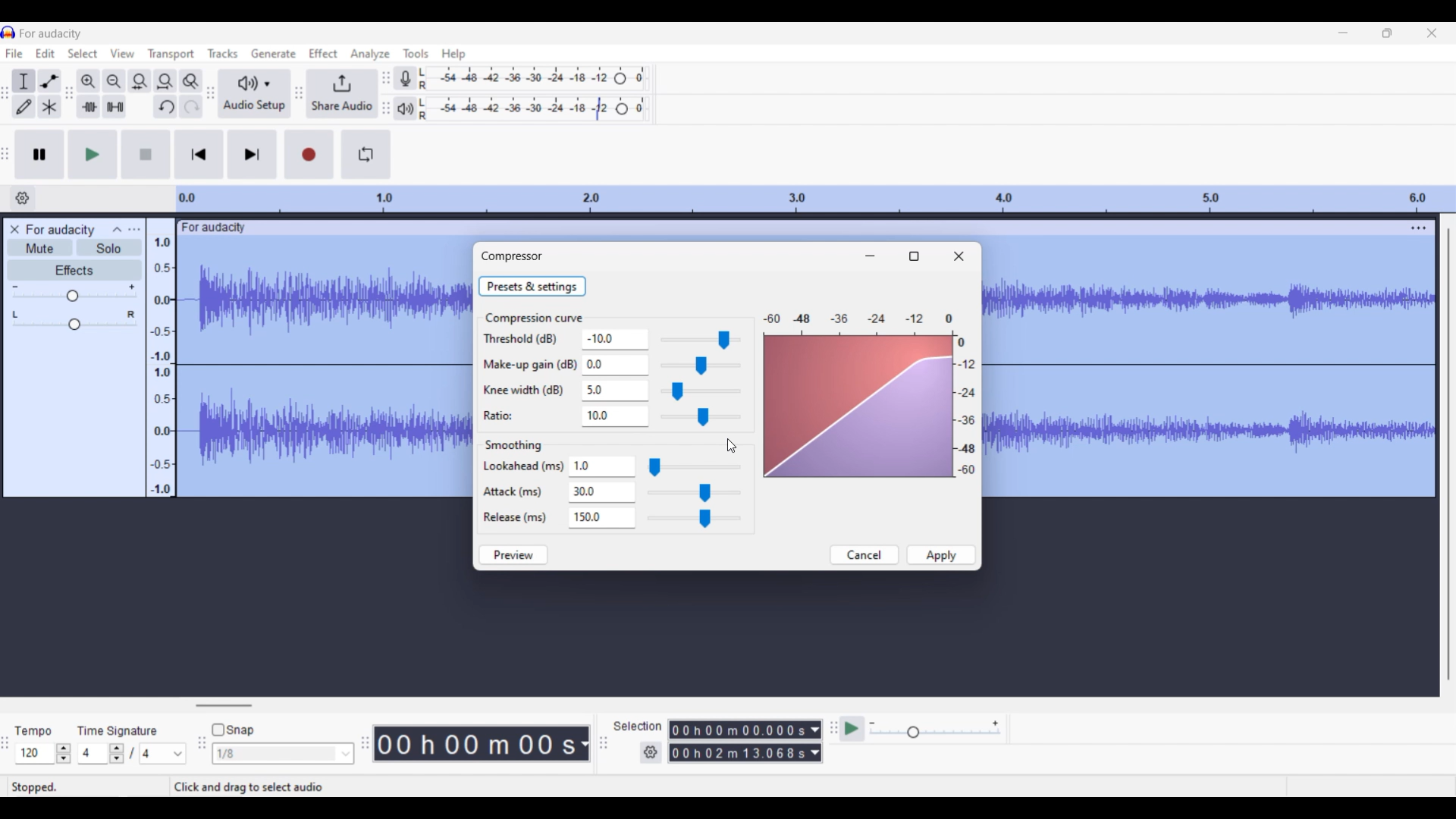 This screenshot has width=1456, height=819. I want to click on Scale to measure length of track, so click(815, 199).